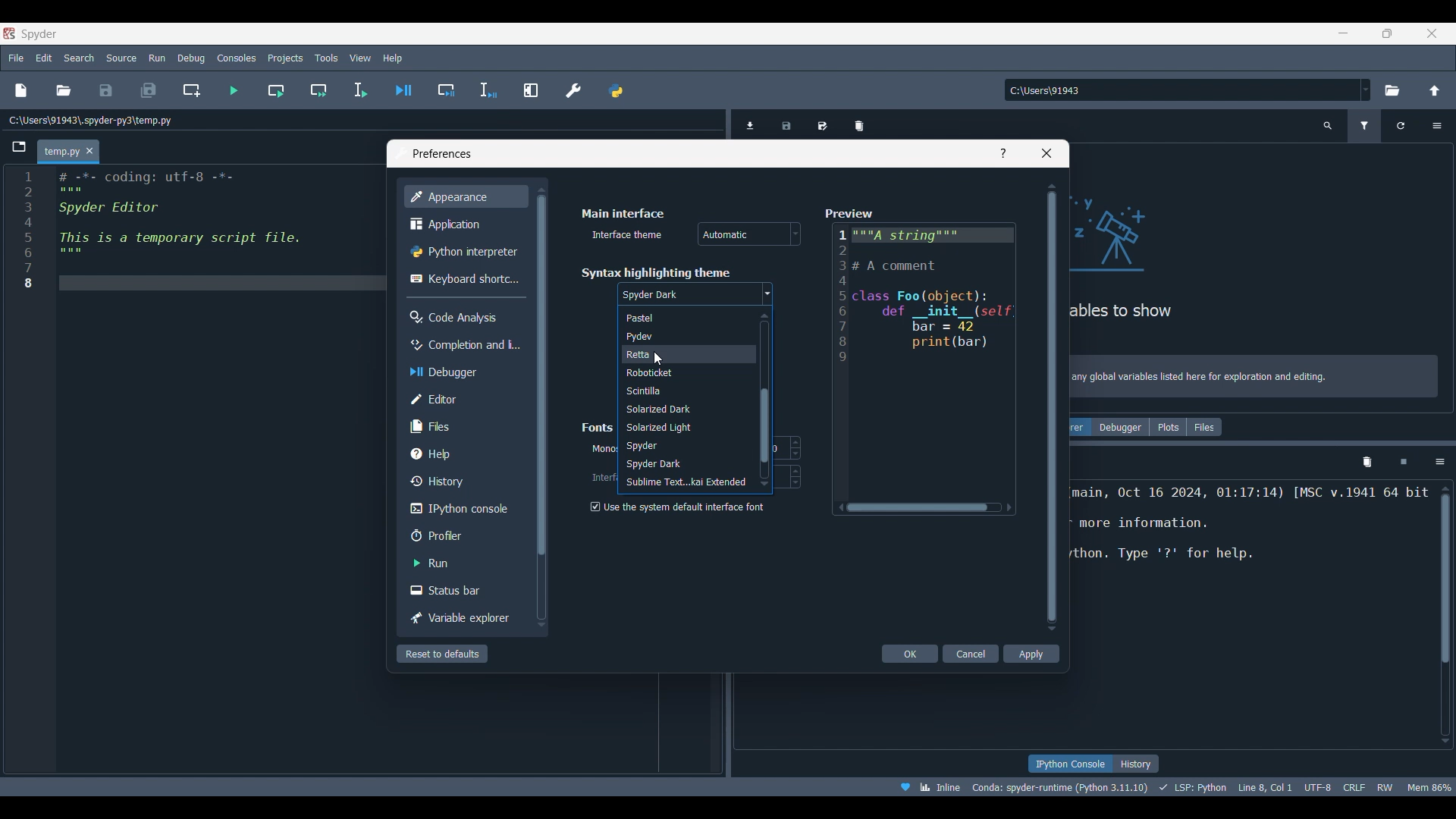 The image size is (1456, 819). What do you see at coordinates (463, 344) in the screenshot?
I see `Completion and linting` at bounding box center [463, 344].